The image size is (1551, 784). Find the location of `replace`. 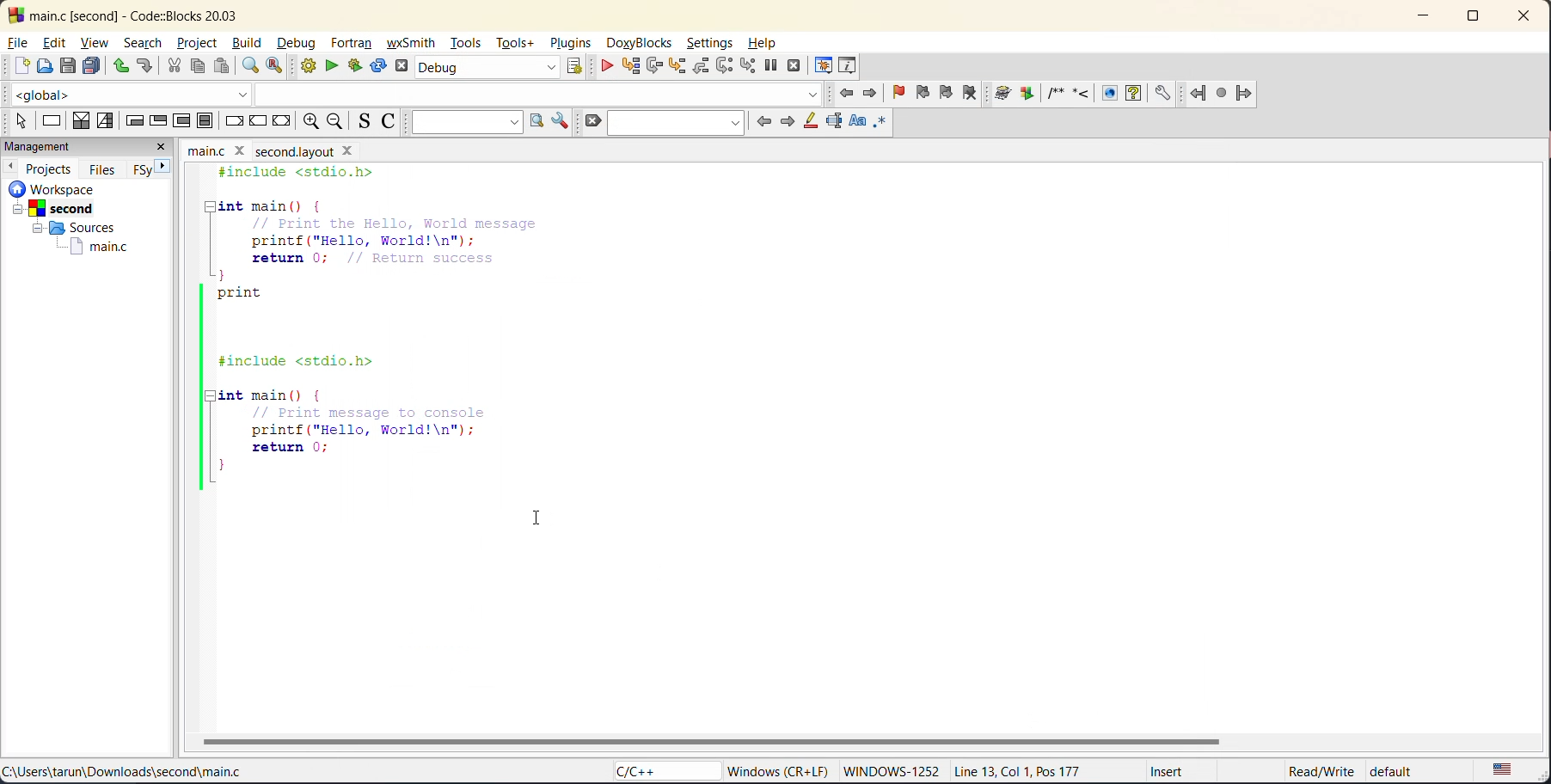

replace is located at coordinates (282, 67).